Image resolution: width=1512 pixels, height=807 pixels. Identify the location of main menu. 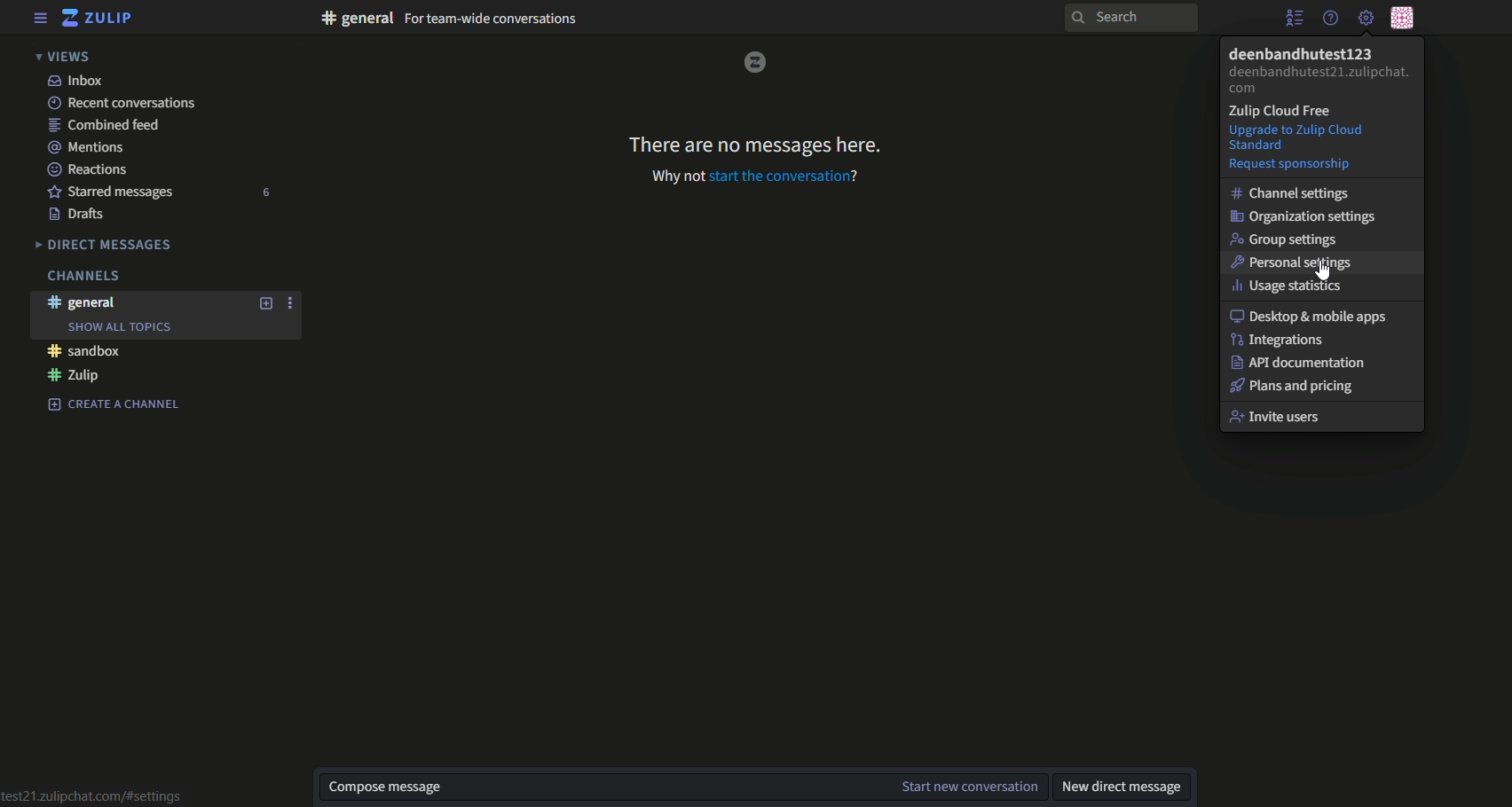
(1365, 17).